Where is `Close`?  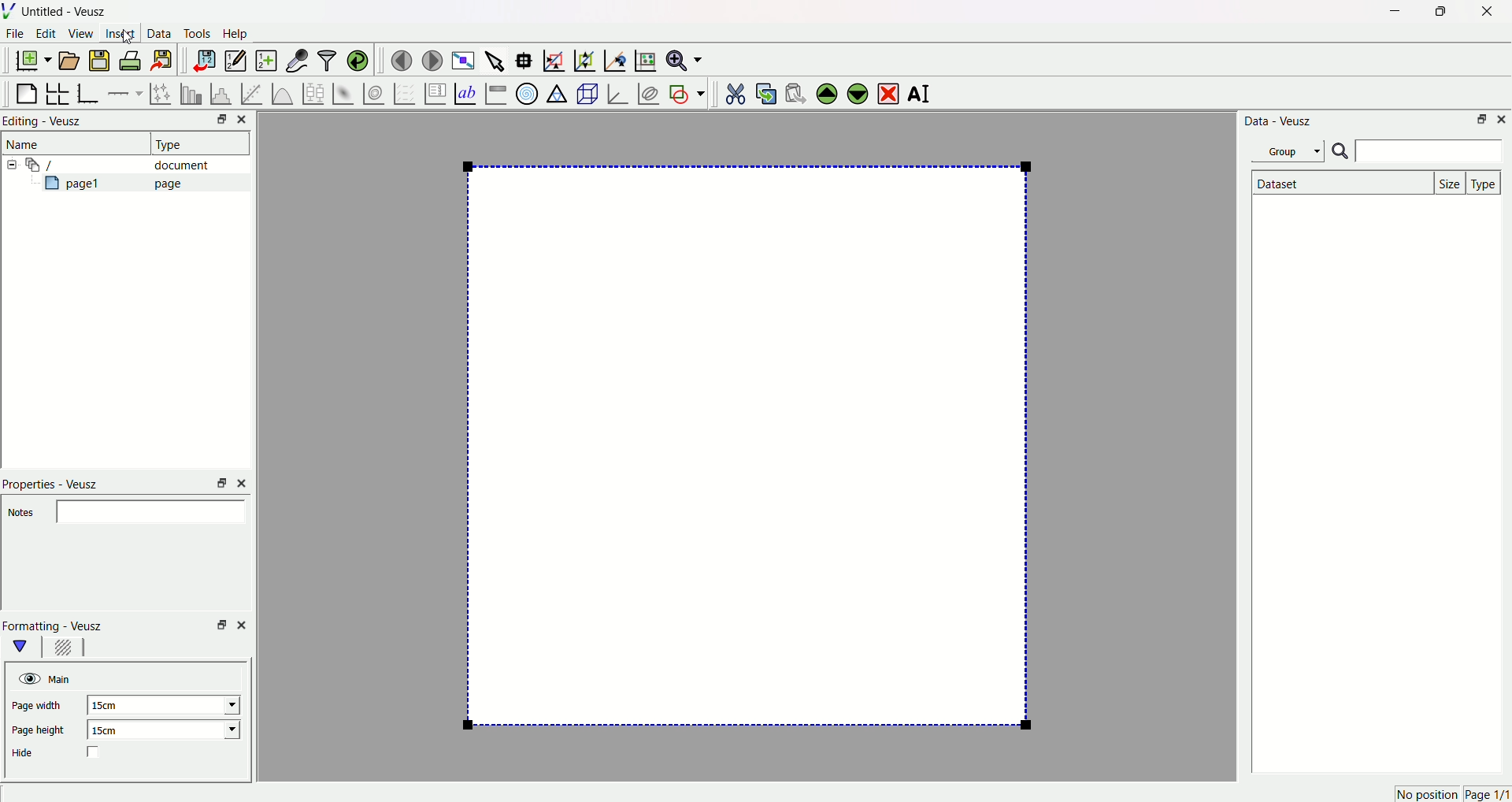
Close is located at coordinates (1481, 13).